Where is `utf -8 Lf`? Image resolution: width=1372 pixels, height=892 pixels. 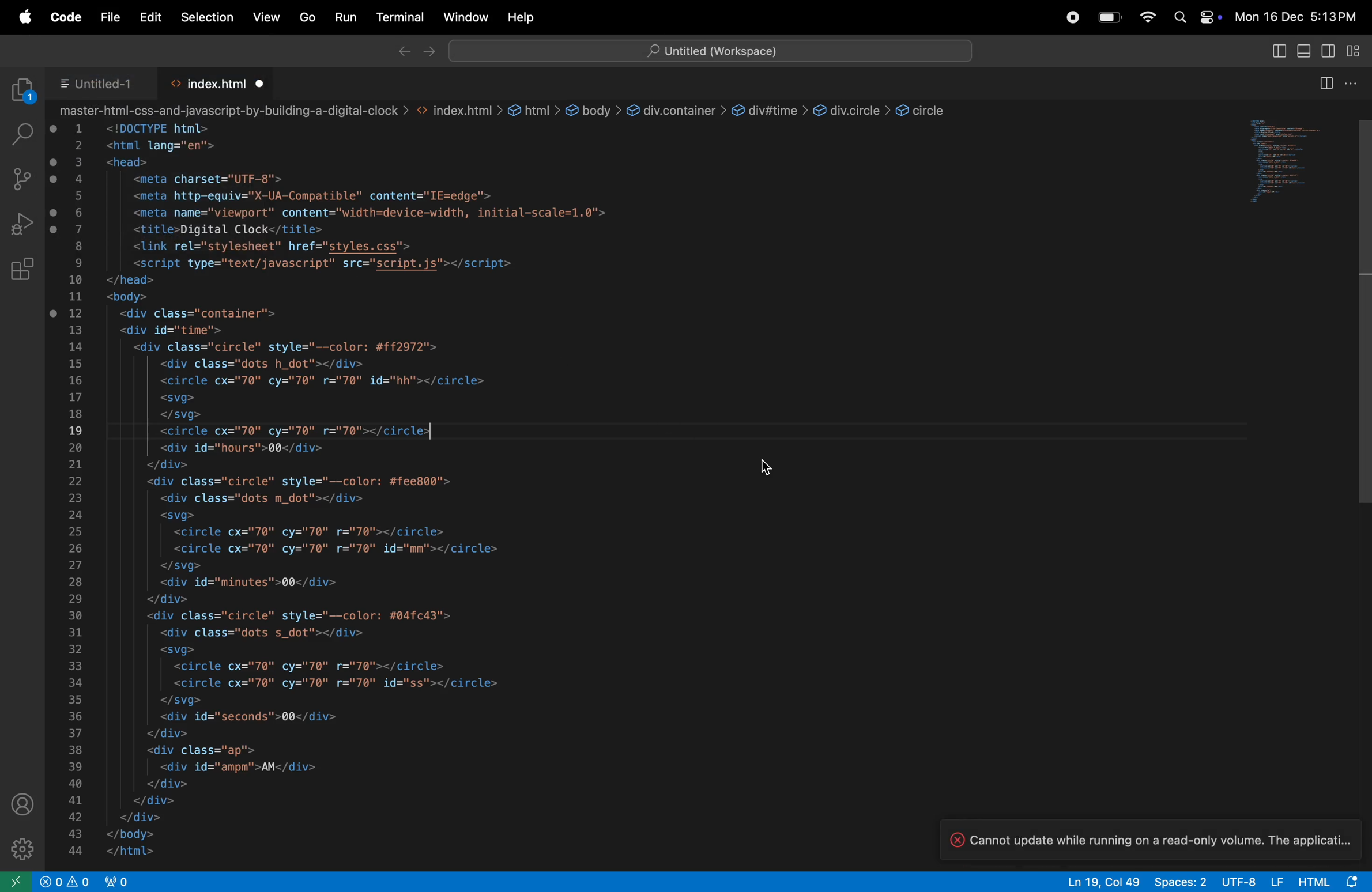 utf -8 Lf is located at coordinates (1250, 882).